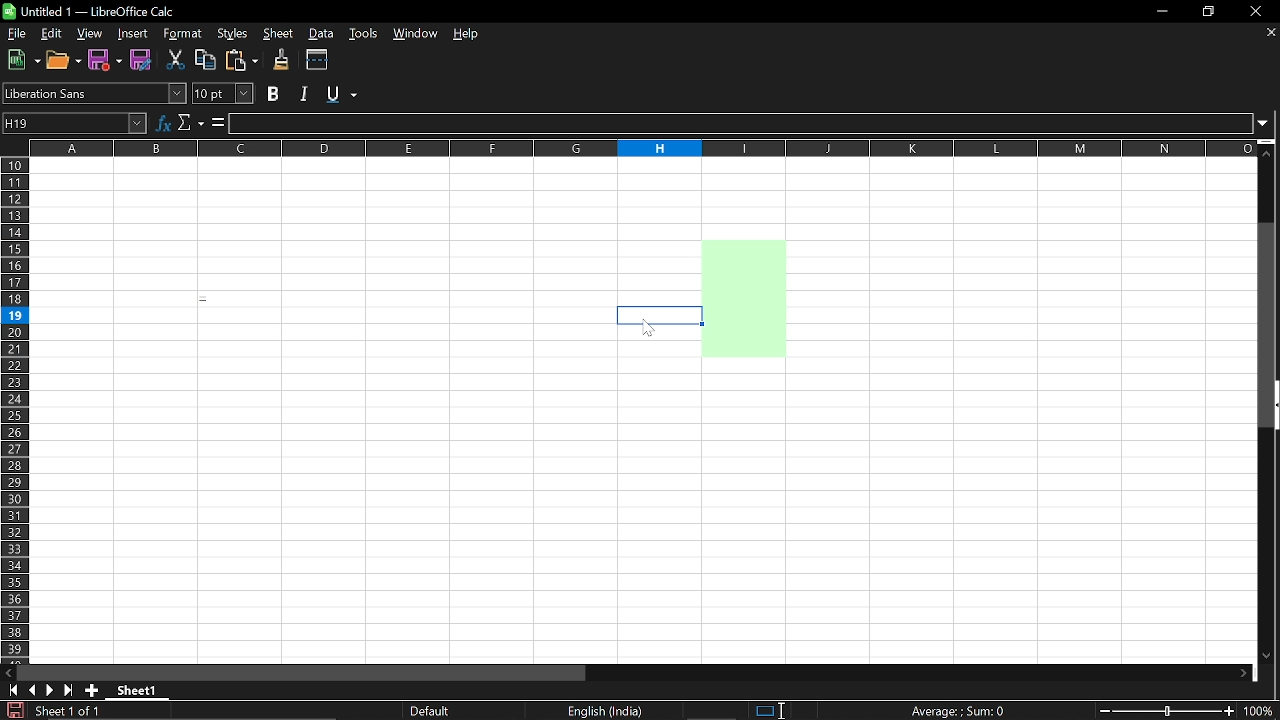 This screenshot has height=720, width=1280. Describe the element at coordinates (1210, 11) in the screenshot. I see `Restore down` at that location.